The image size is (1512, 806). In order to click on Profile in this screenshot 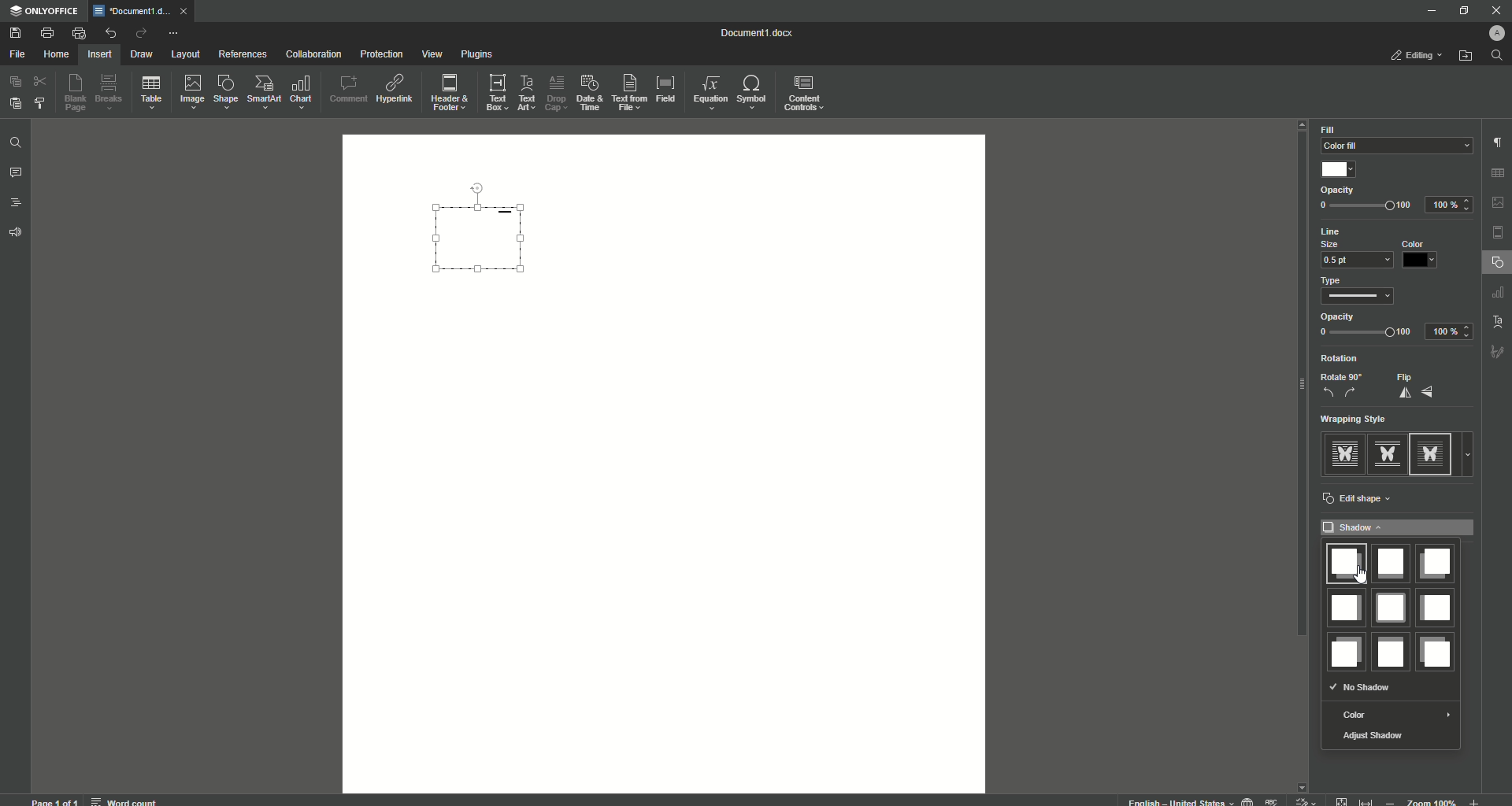, I will do `click(1494, 33)`.